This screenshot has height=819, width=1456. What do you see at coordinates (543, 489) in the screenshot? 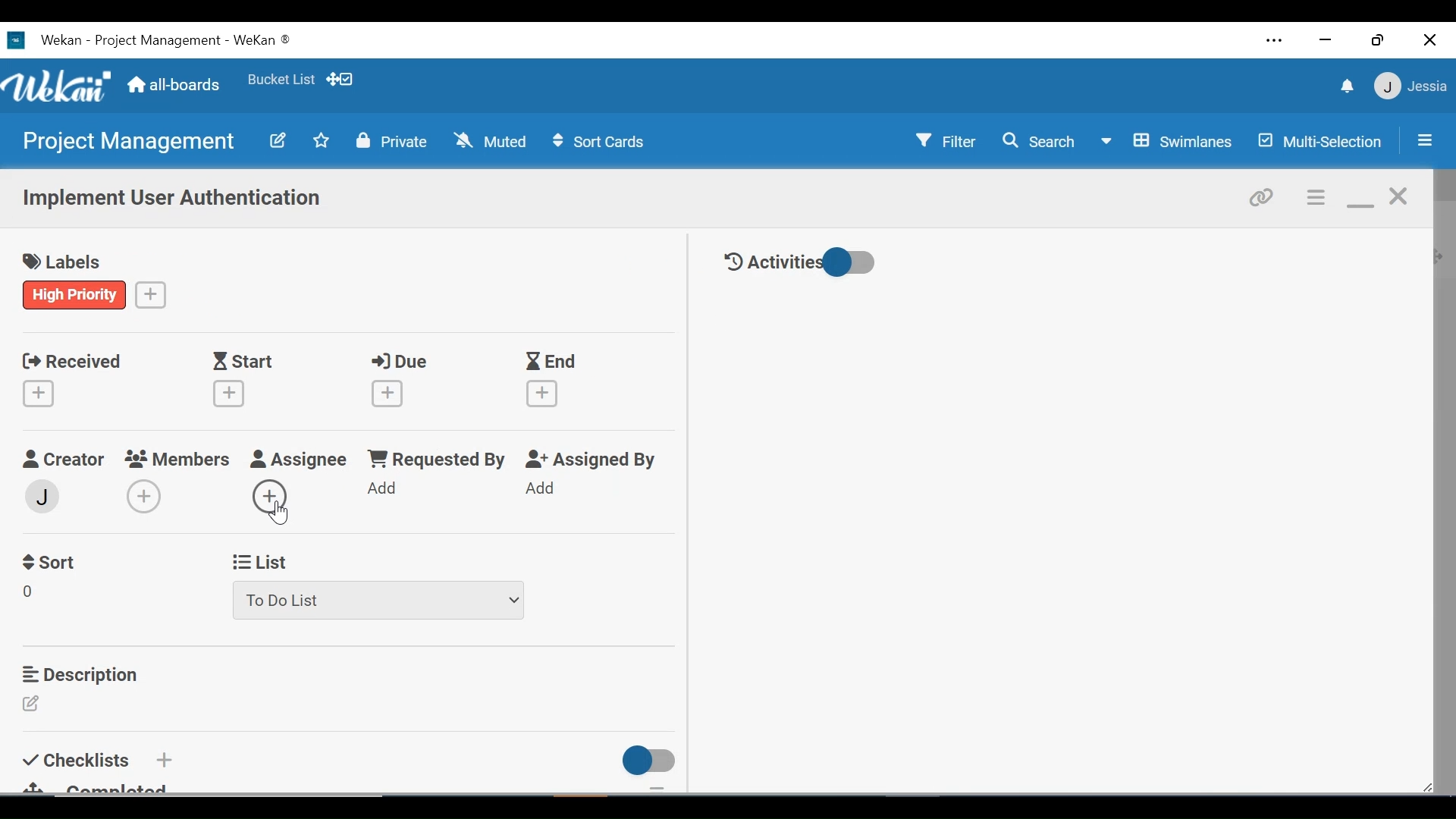
I see `Add` at bounding box center [543, 489].